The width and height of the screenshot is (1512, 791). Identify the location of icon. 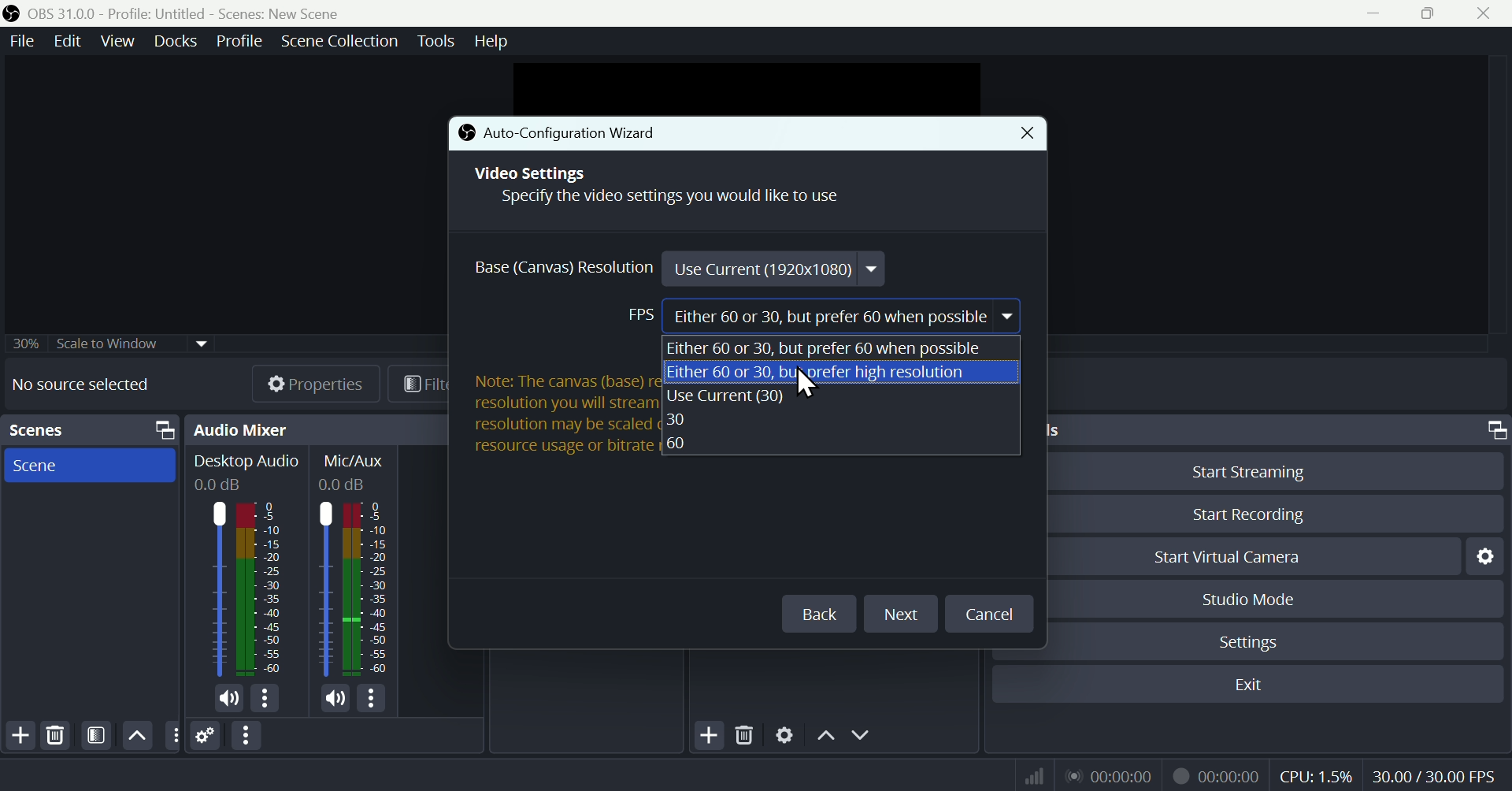
(13, 14).